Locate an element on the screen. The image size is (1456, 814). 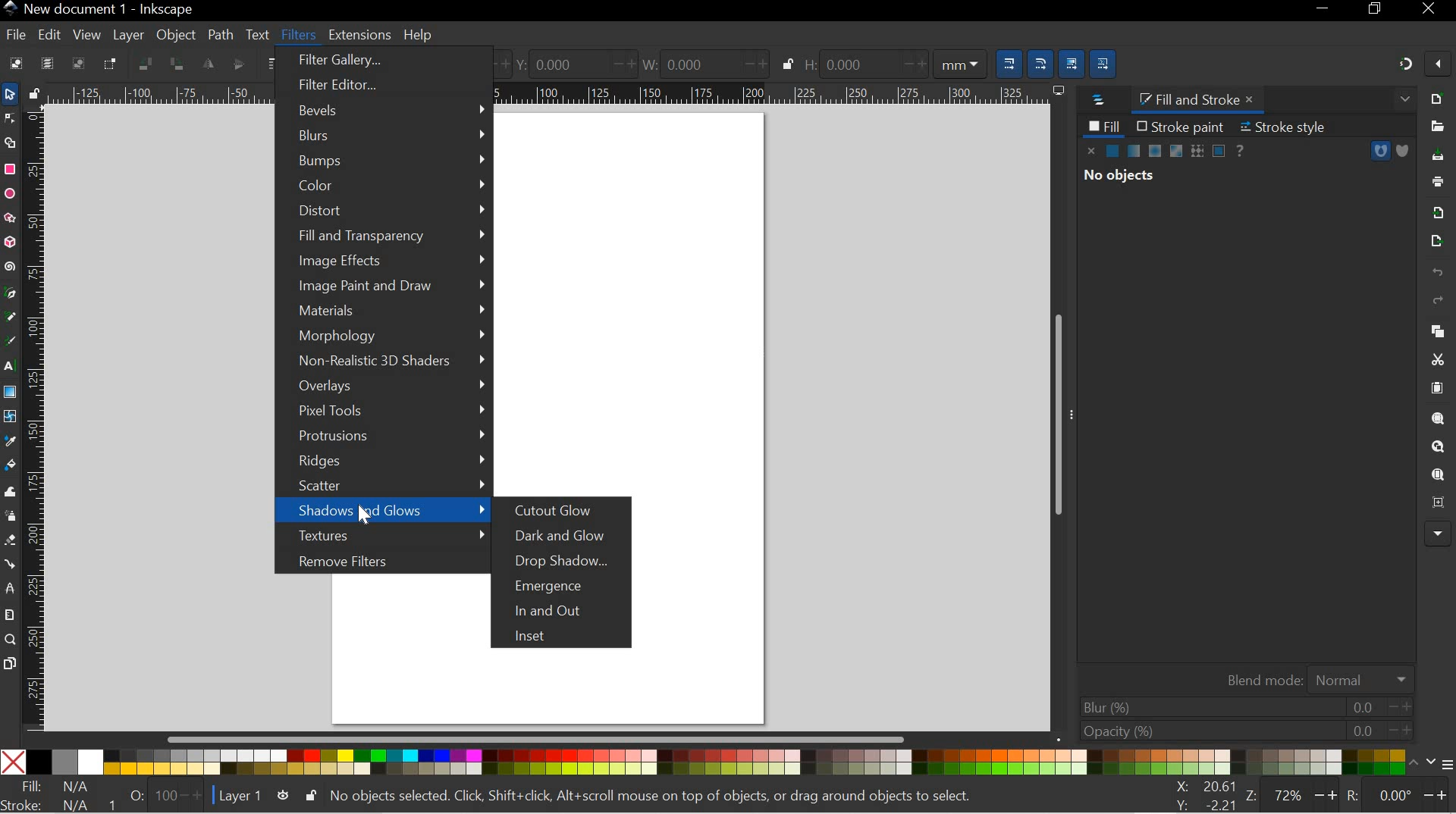
FILE NAME is located at coordinates (99, 9).